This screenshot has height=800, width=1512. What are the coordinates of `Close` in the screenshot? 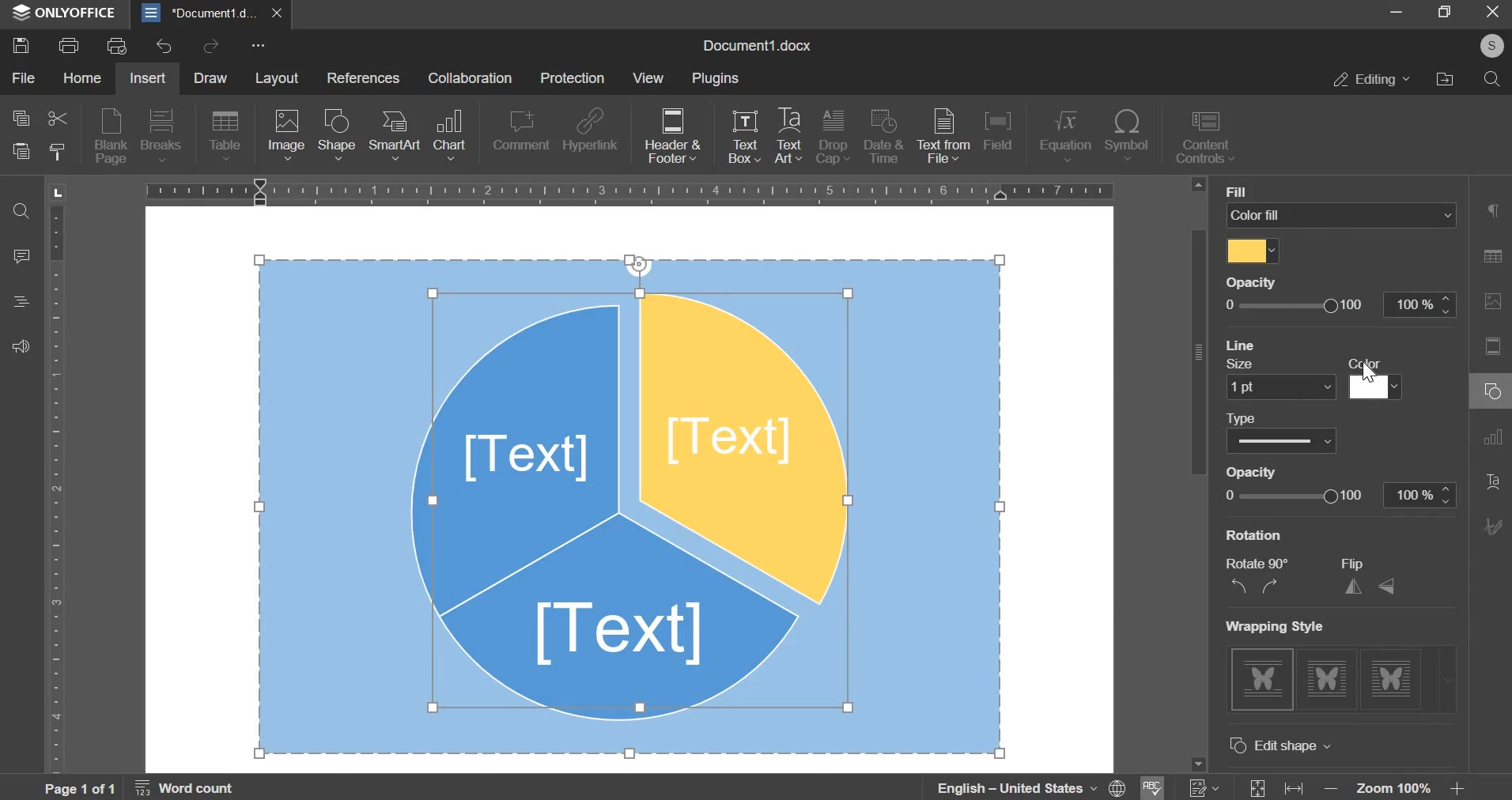 It's located at (1492, 13).